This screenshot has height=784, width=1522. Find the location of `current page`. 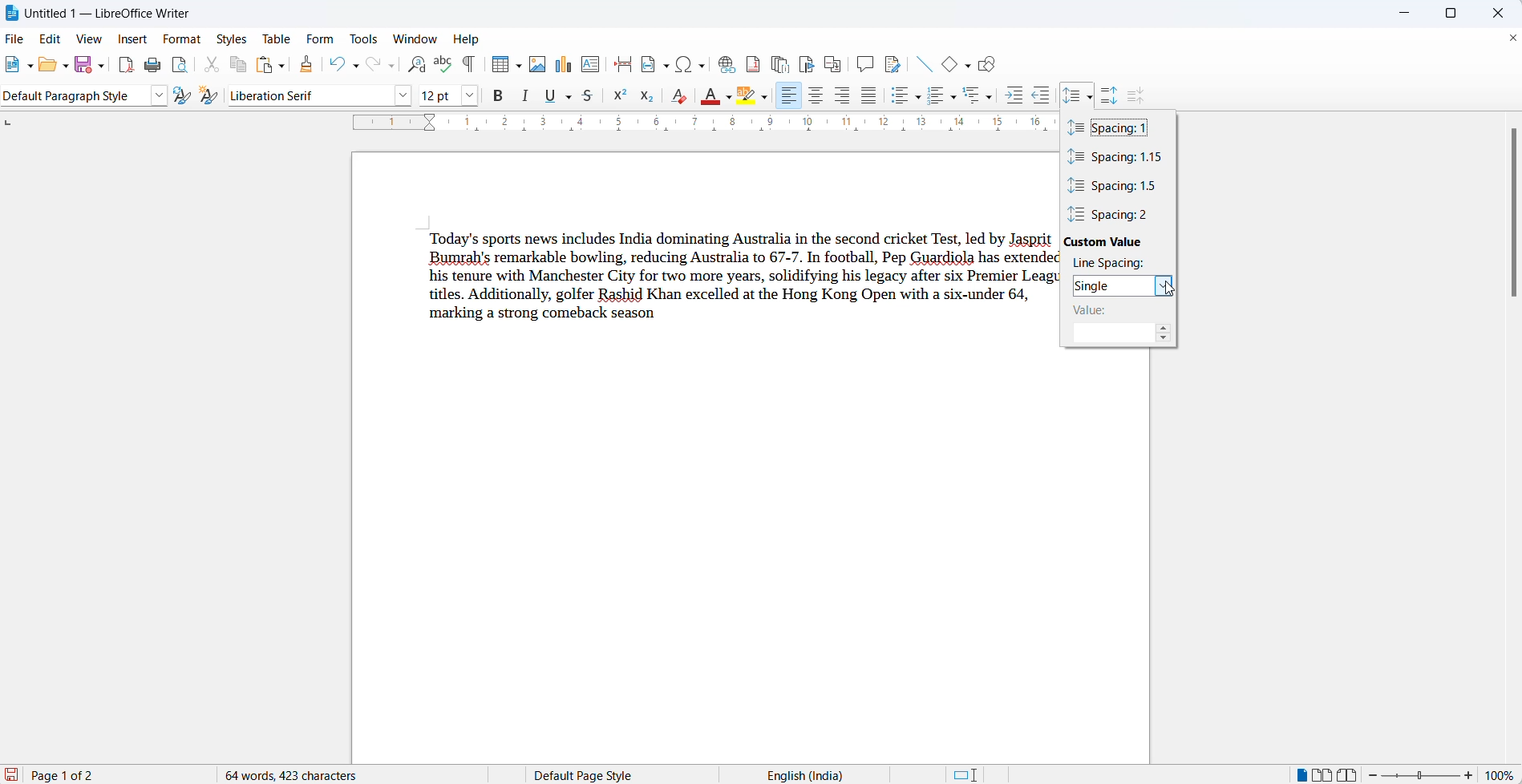

current page is located at coordinates (78, 775).